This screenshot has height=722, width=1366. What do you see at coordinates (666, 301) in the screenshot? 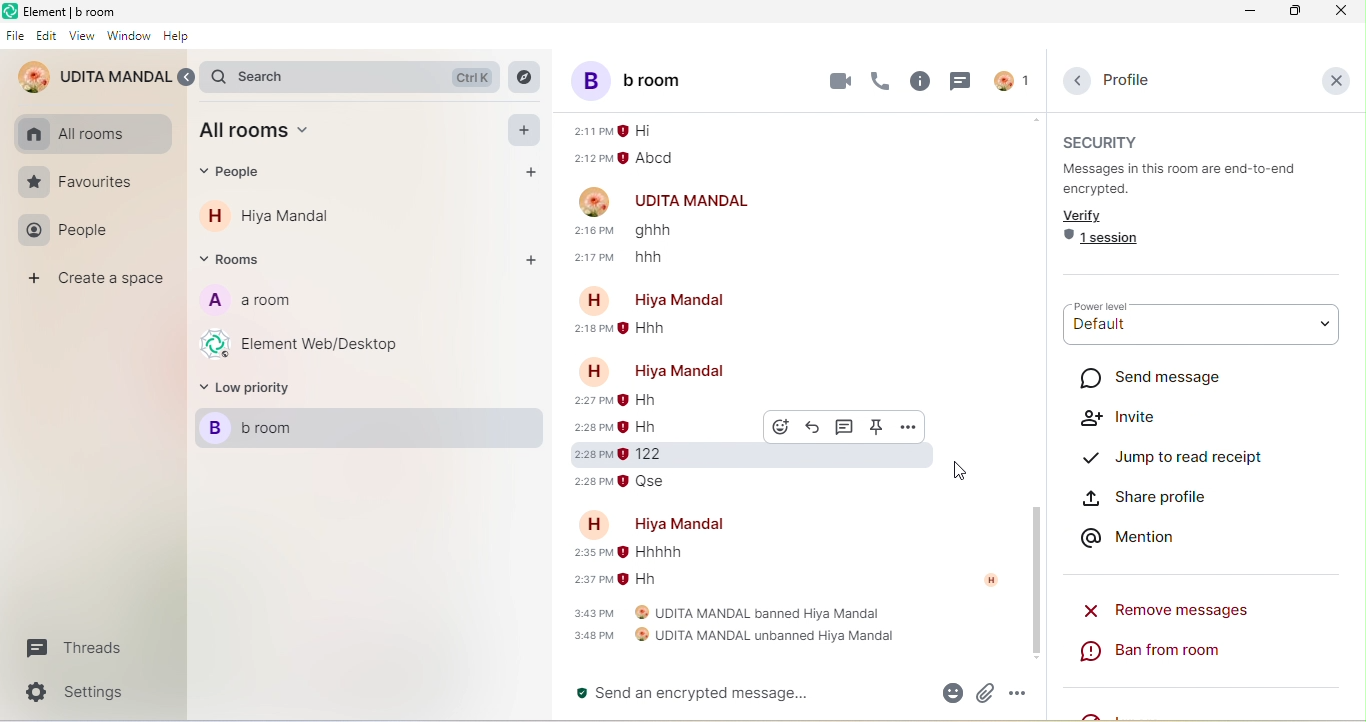
I see `account name-hiya mandal` at bounding box center [666, 301].